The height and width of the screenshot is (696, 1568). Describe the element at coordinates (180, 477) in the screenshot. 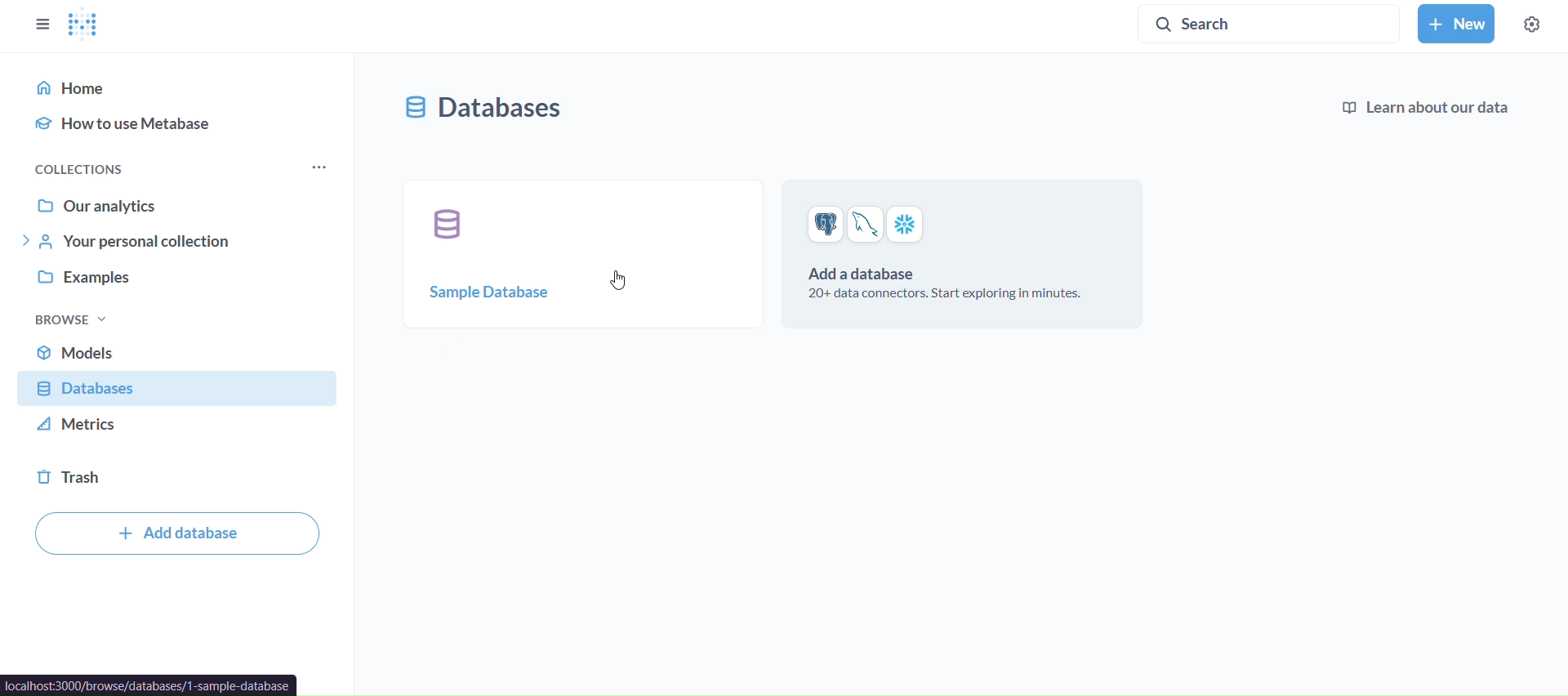

I see `trash` at that location.